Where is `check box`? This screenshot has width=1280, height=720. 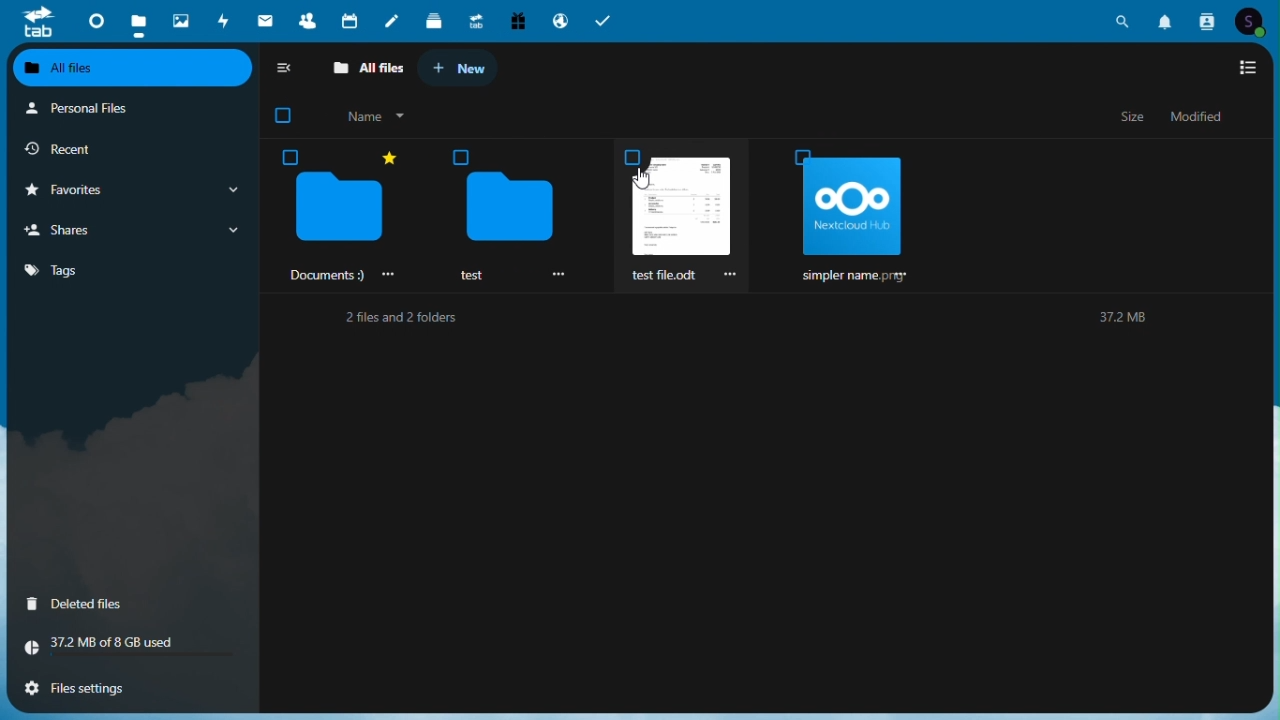
check box is located at coordinates (286, 118).